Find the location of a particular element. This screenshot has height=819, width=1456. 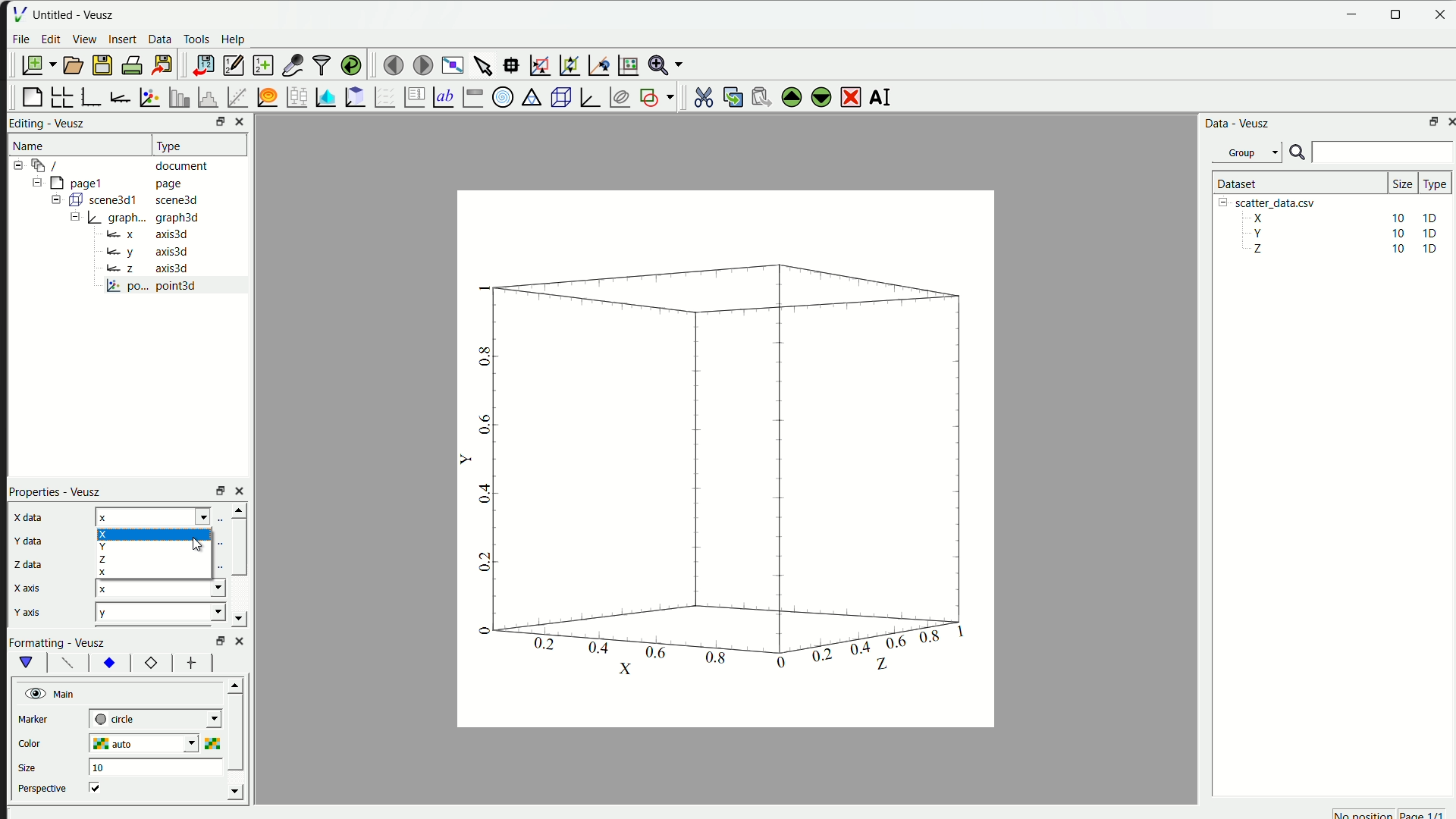

 is located at coordinates (218, 639).